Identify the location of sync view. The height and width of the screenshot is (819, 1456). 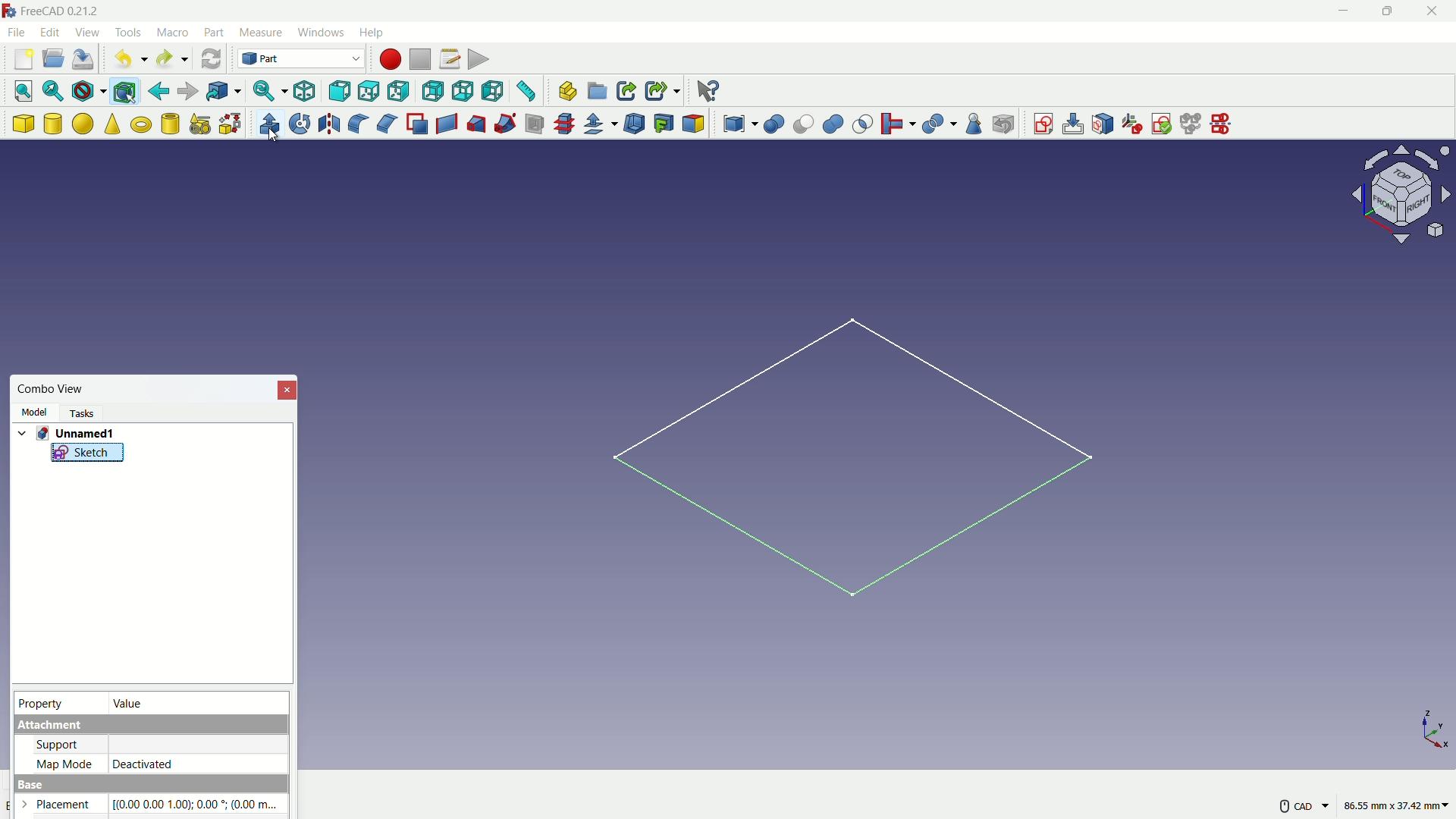
(268, 89).